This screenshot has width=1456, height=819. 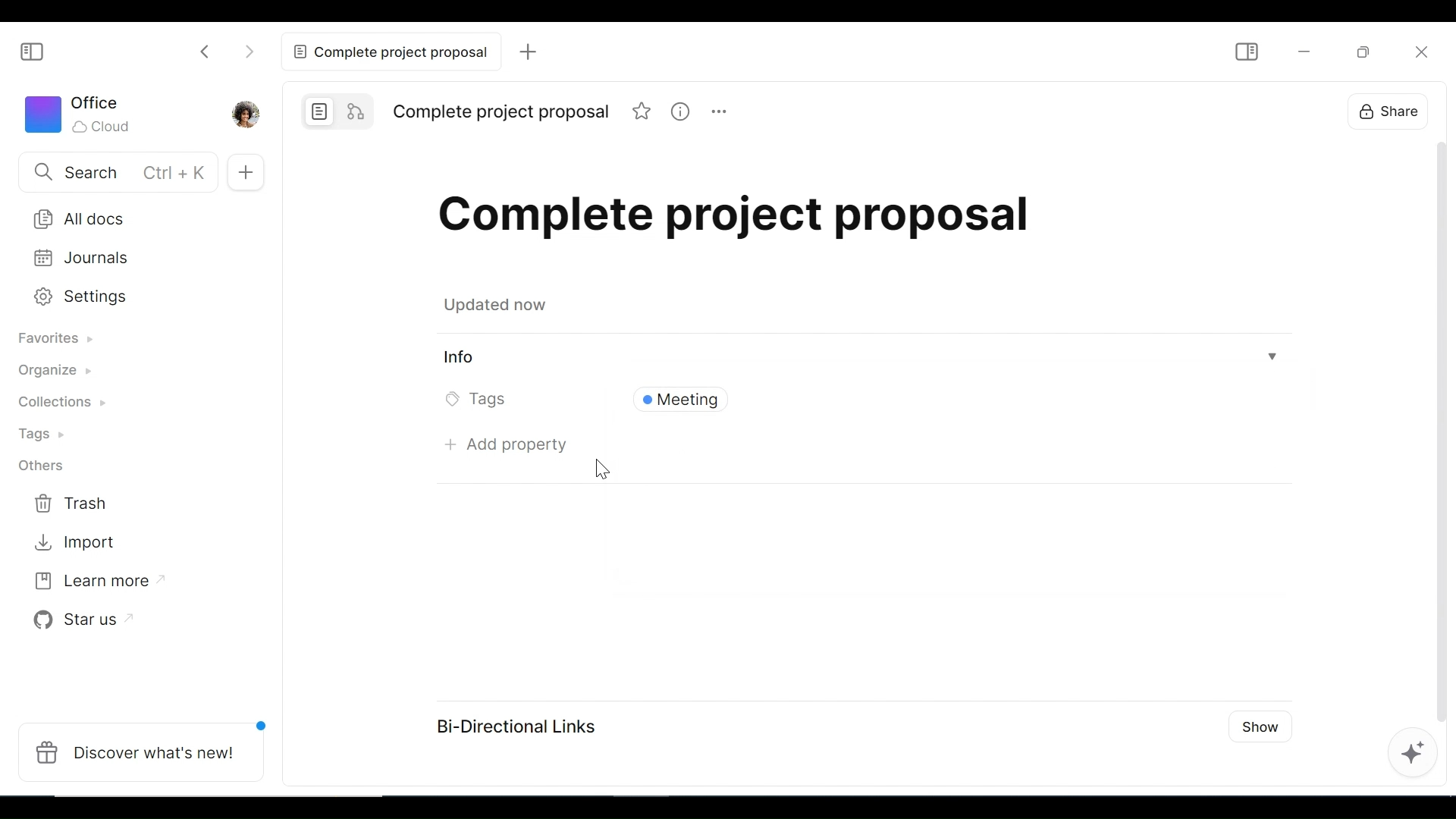 I want to click on Add New , so click(x=249, y=171).